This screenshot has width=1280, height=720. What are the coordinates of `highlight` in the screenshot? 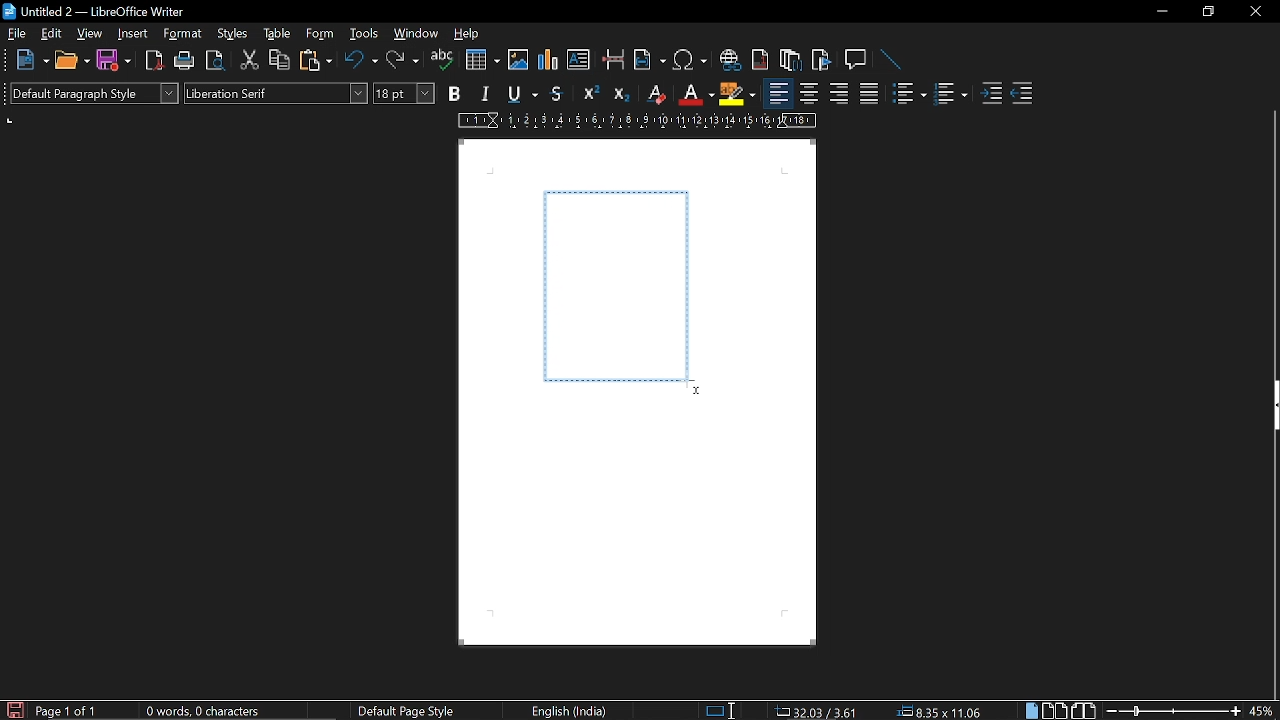 It's located at (737, 93).